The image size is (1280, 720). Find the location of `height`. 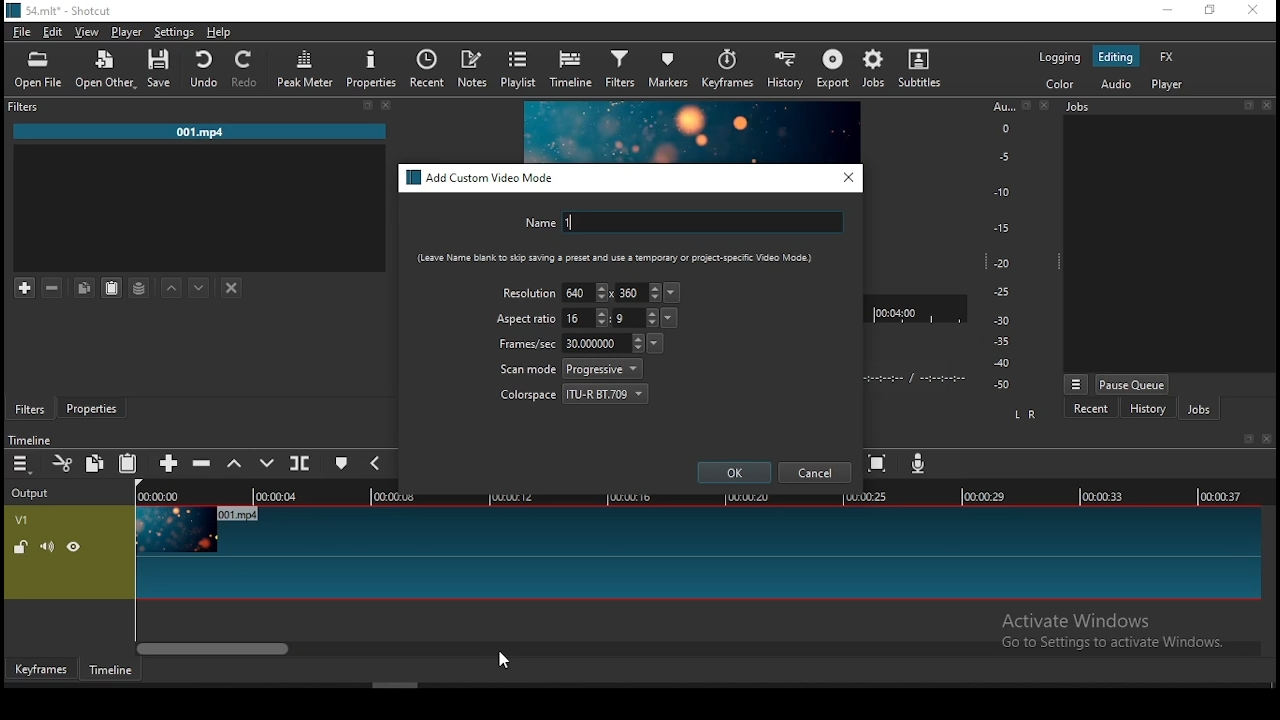

height is located at coordinates (635, 317).